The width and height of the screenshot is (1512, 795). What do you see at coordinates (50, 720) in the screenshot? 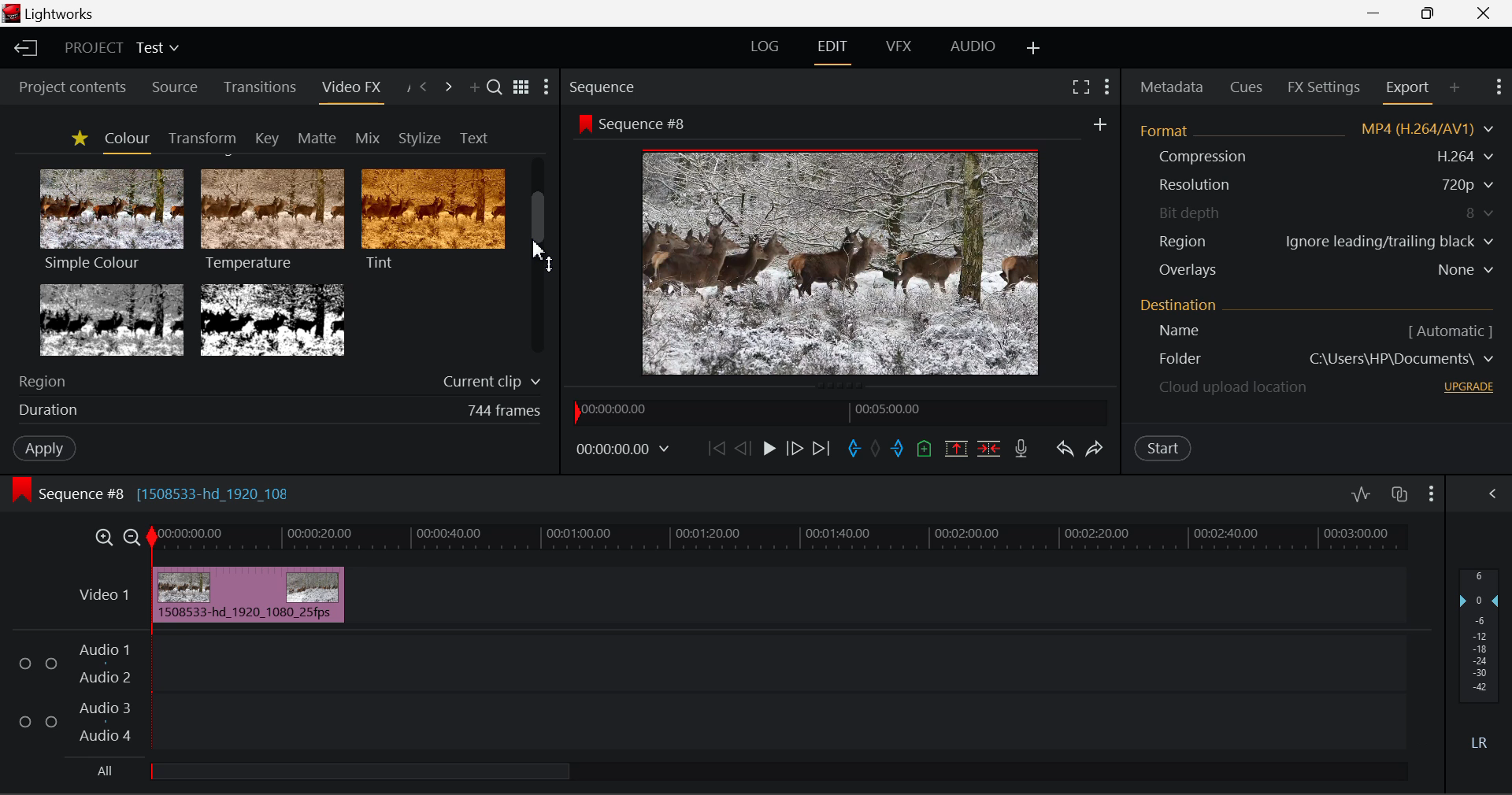
I see `Checkbox` at bounding box center [50, 720].